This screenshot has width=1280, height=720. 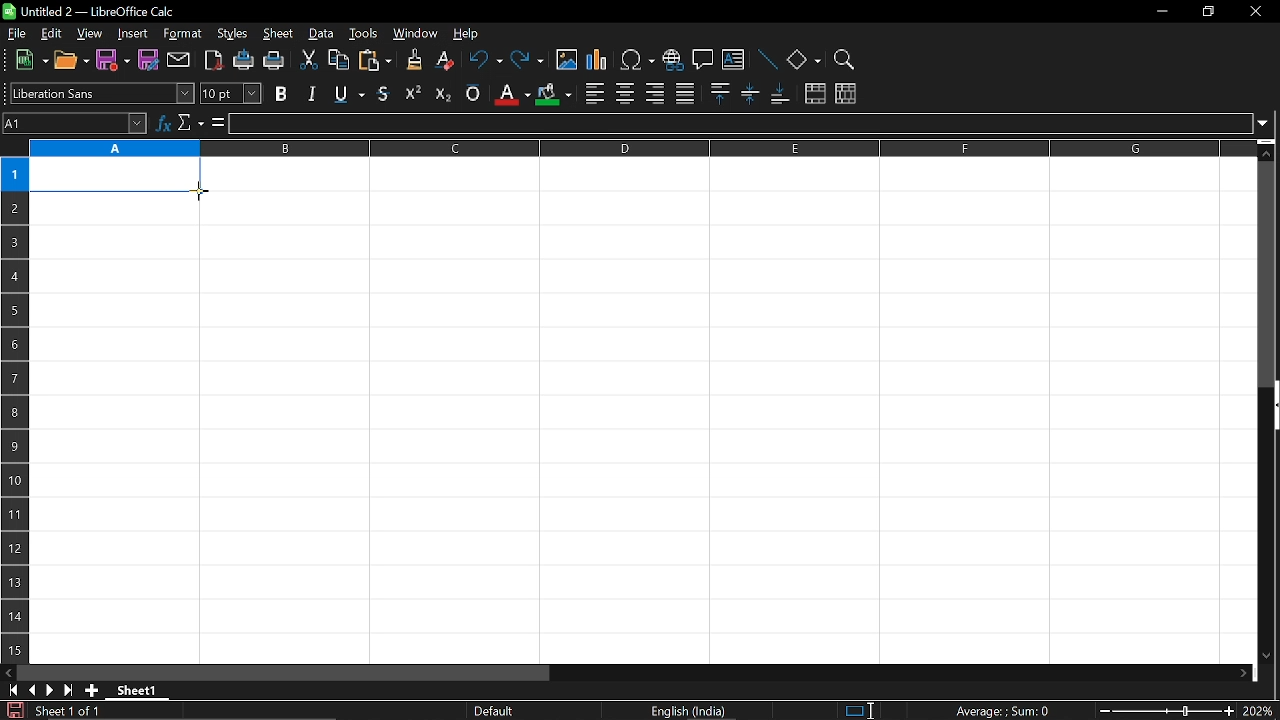 What do you see at coordinates (88, 34) in the screenshot?
I see `view` at bounding box center [88, 34].